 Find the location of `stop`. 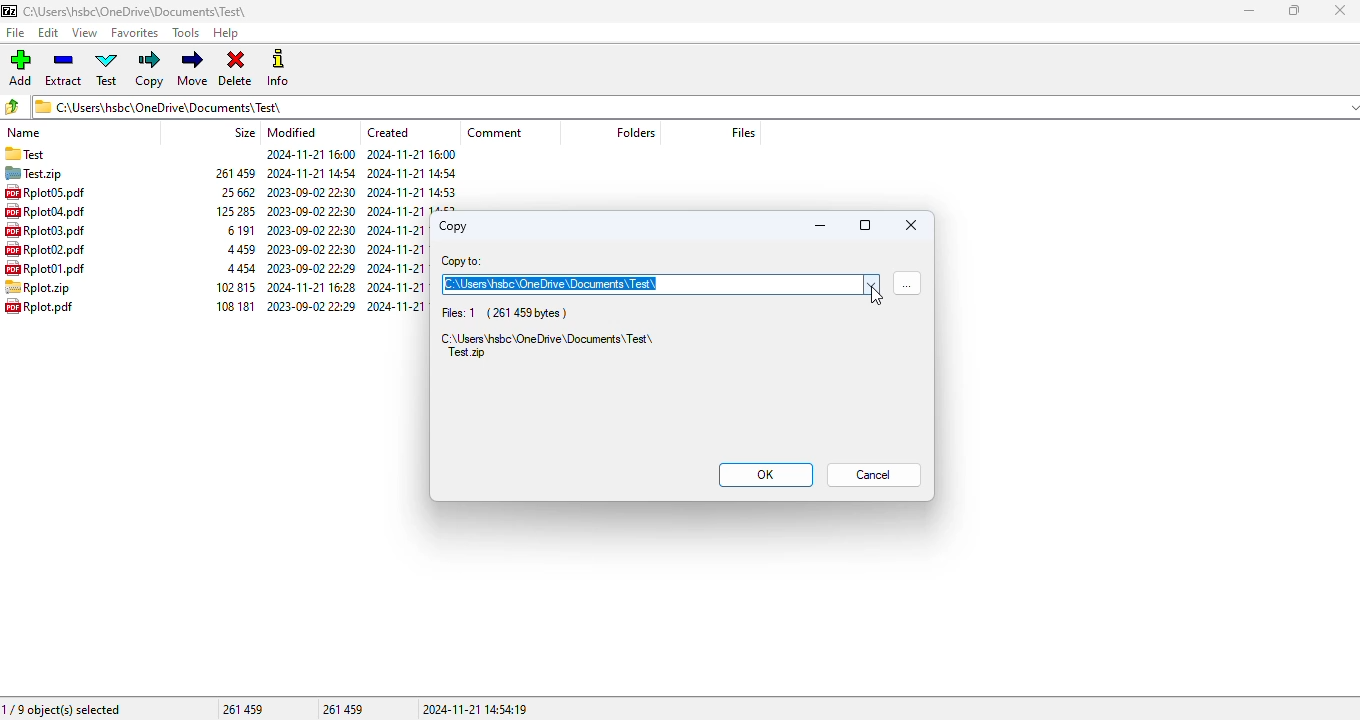

stop is located at coordinates (910, 223).